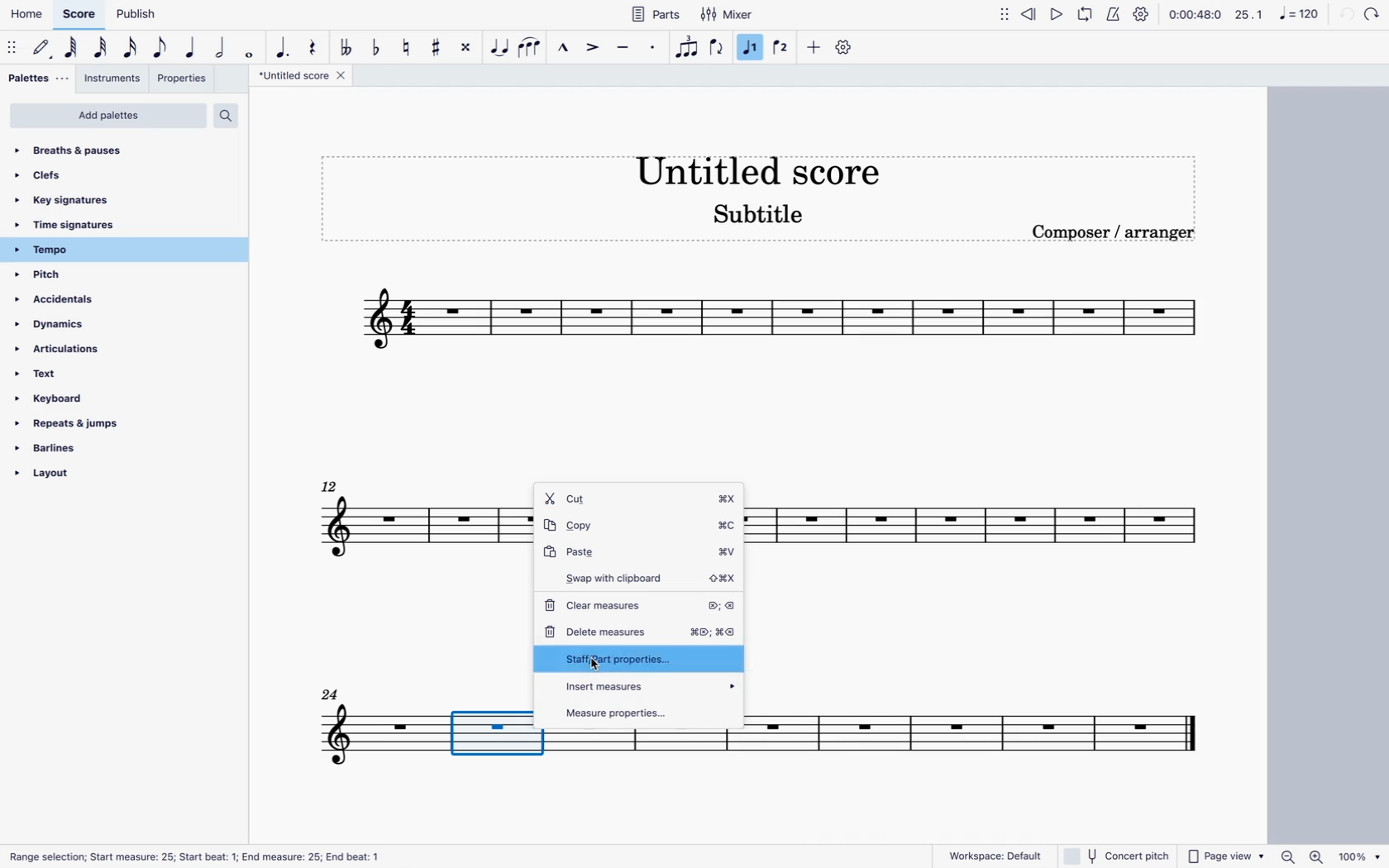  I want to click on pitch, so click(65, 276).